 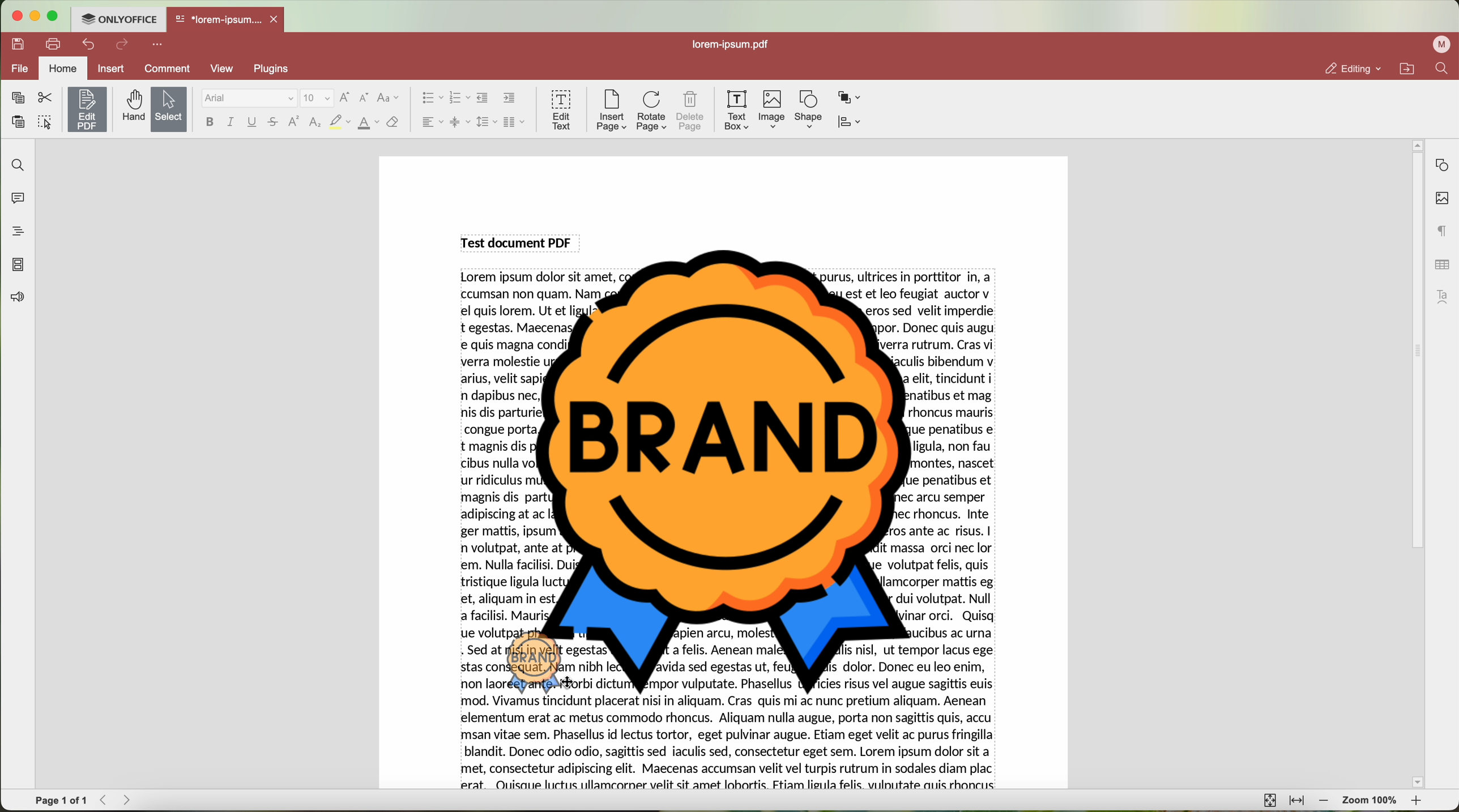 What do you see at coordinates (107, 800) in the screenshot?
I see `Backward` at bounding box center [107, 800].